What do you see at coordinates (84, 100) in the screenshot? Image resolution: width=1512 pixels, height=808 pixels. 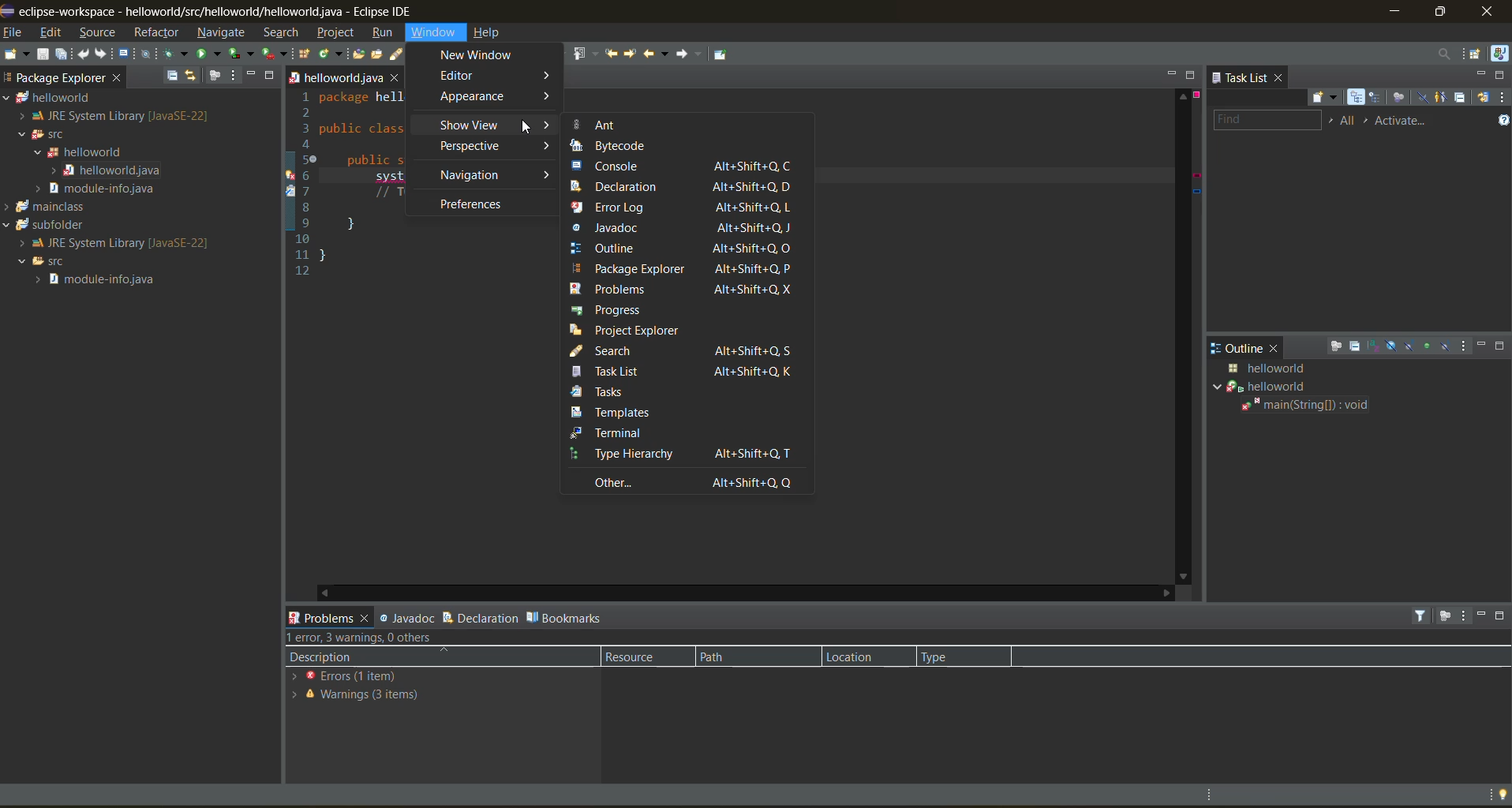 I see `helloworld` at bounding box center [84, 100].